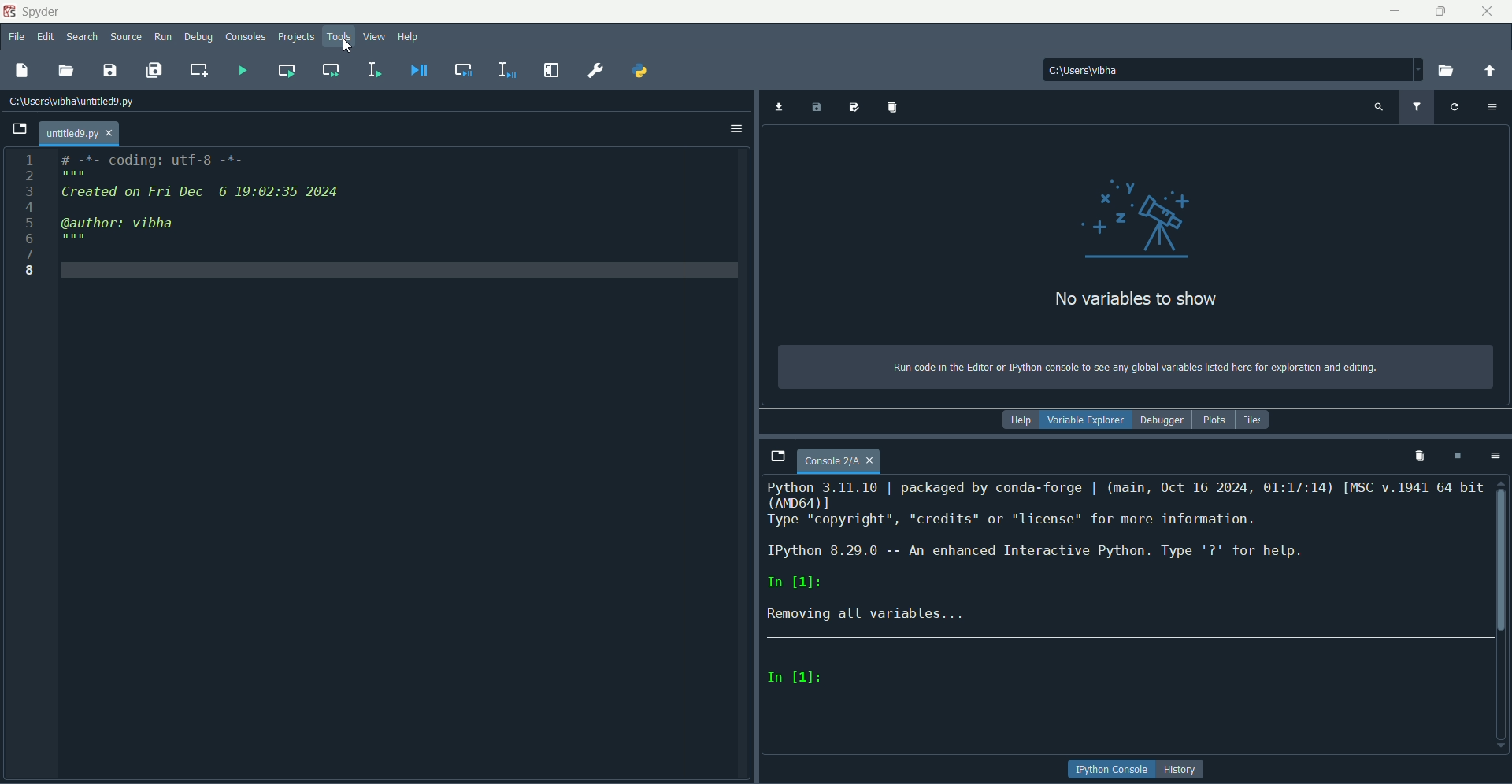 The height and width of the screenshot is (784, 1512). What do you see at coordinates (817, 109) in the screenshot?
I see `save data` at bounding box center [817, 109].